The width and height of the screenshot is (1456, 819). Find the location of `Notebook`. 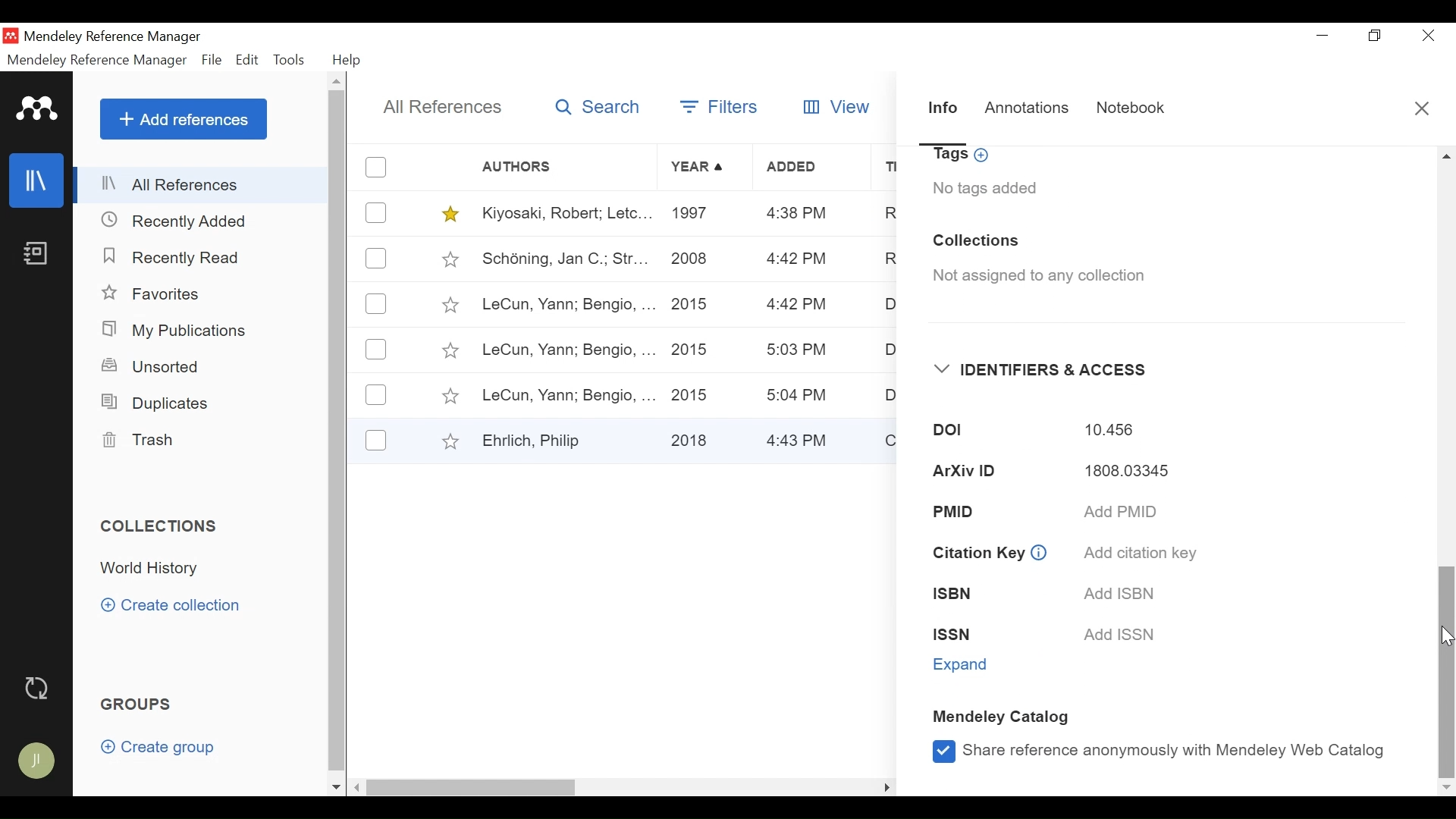

Notebook is located at coordinates (1131, 111).